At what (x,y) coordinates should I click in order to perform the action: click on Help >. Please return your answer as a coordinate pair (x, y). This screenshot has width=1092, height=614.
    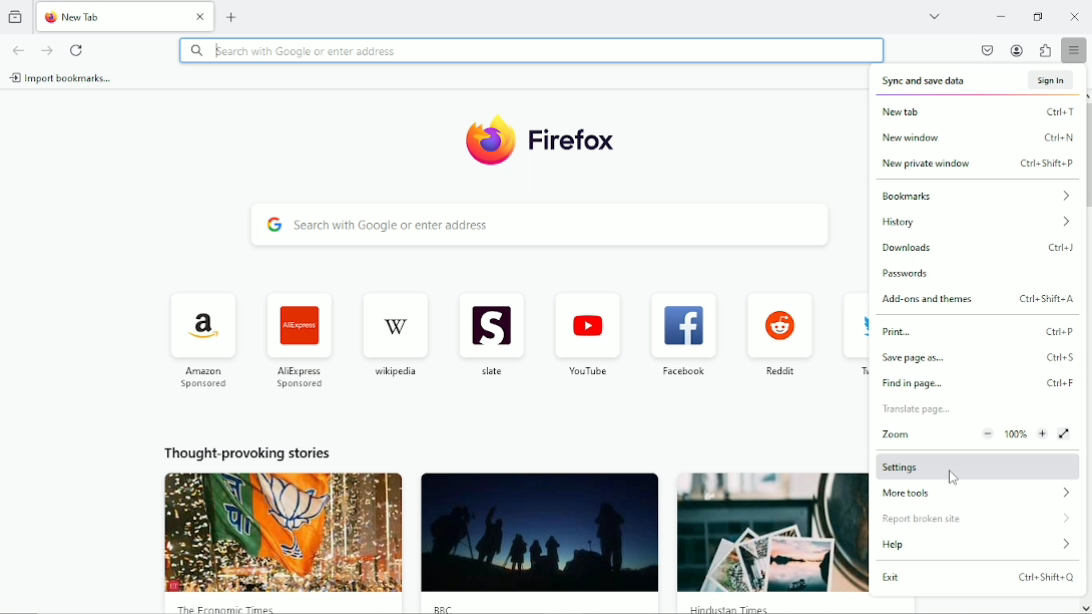
    Looking at the image, I should click on (975, 545).